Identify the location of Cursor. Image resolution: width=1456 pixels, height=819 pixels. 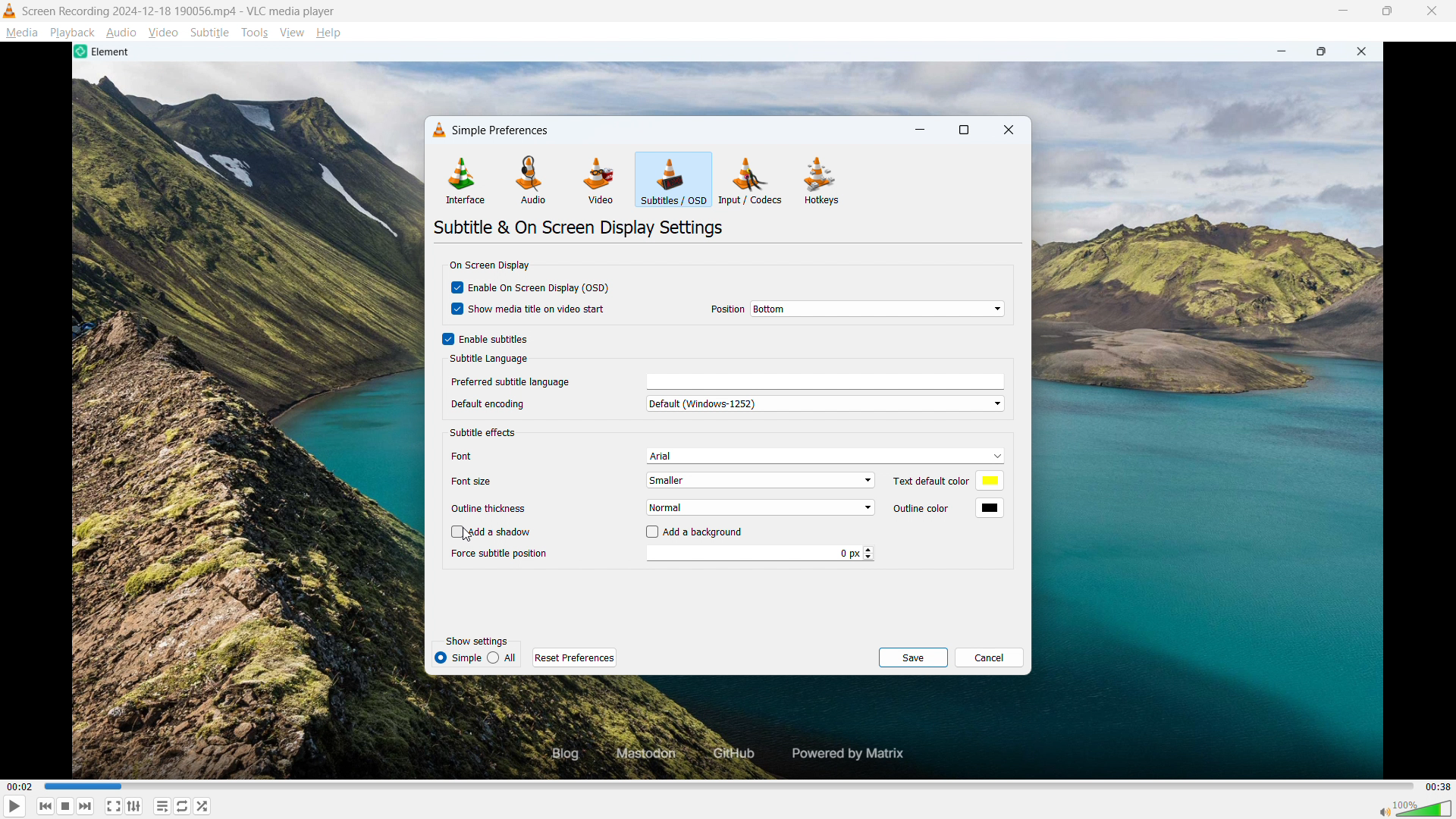
(472, 535).